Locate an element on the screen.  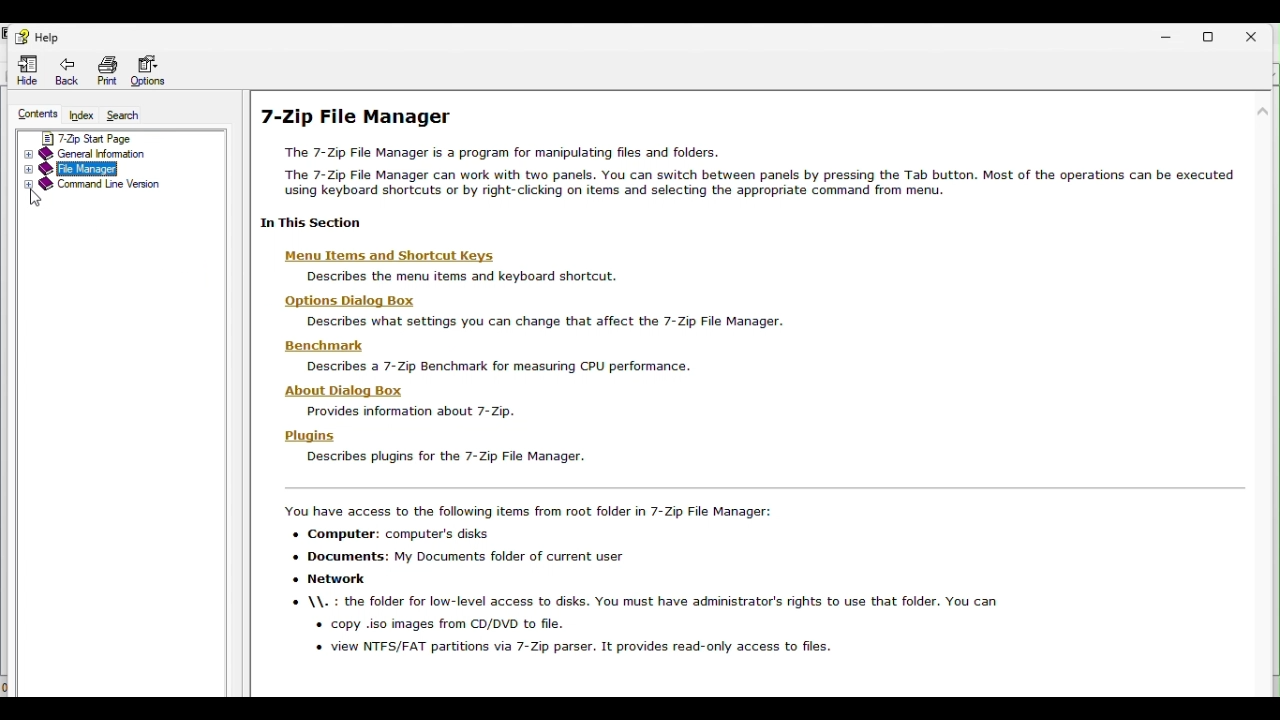
Benchmark is located at coordinates (344, 348).